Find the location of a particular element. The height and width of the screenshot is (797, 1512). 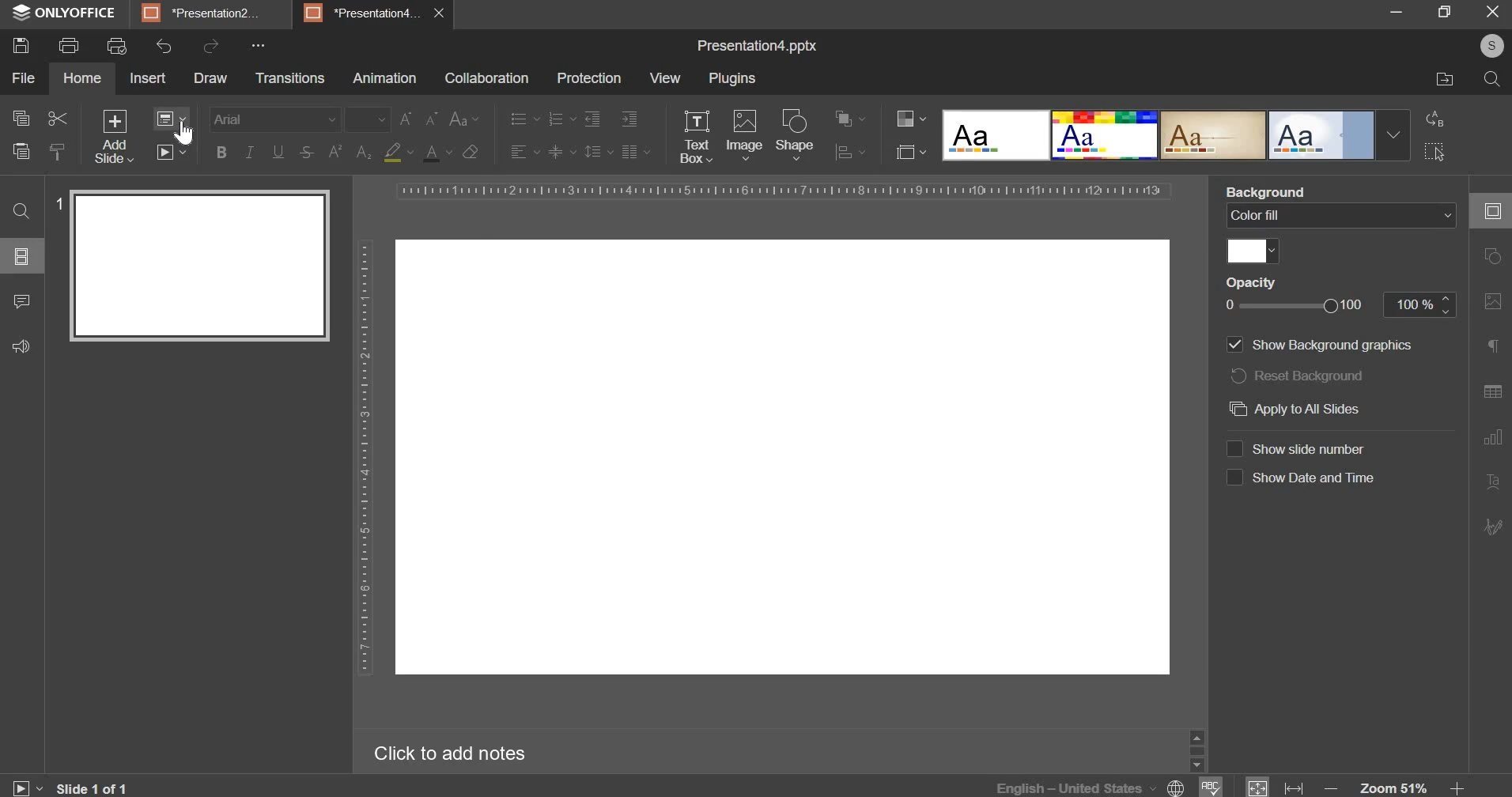

apply to all slides is located at coordinates (1292, 410).